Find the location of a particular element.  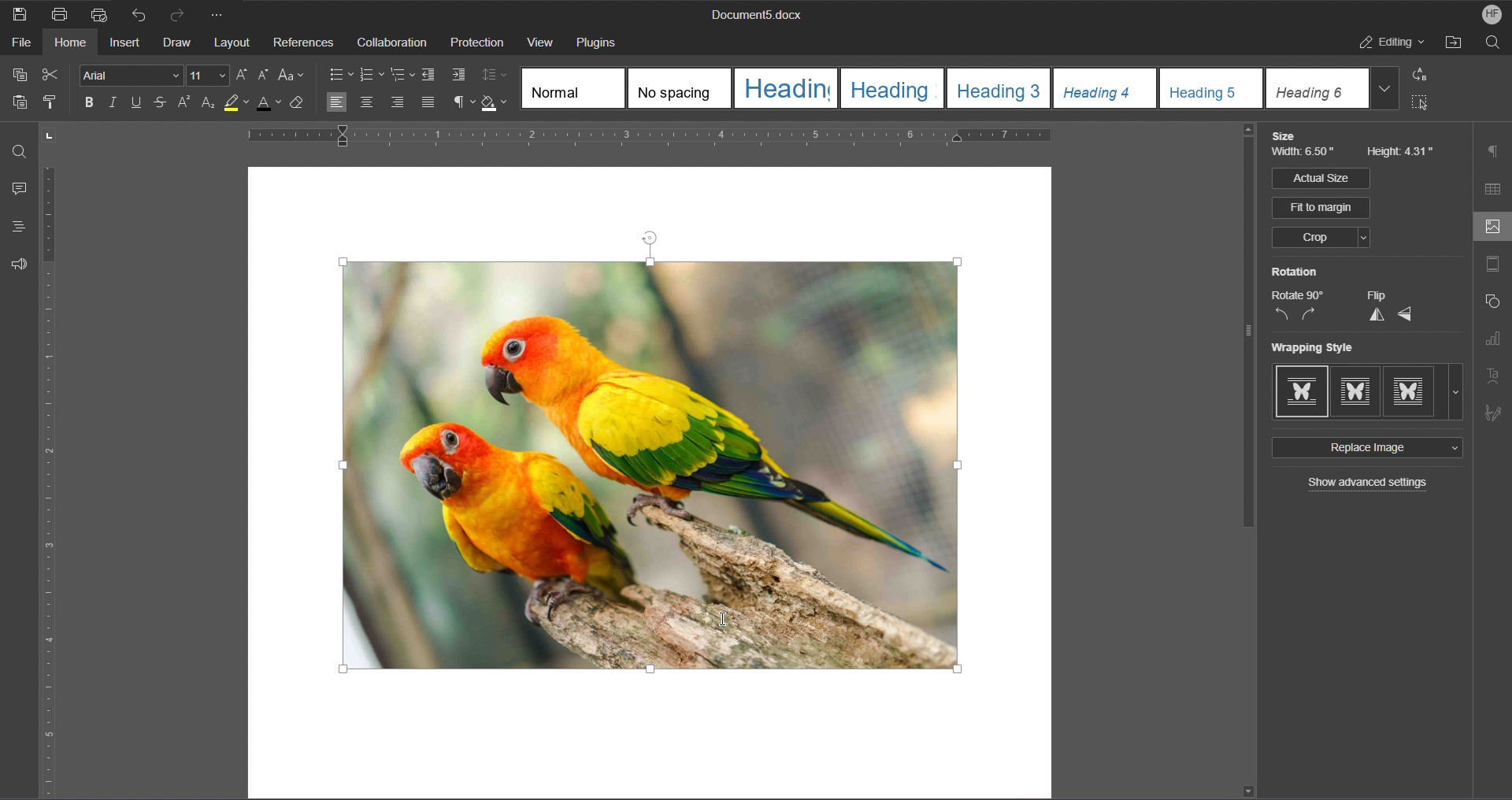

Copy Style is located at coordinates (56, 103).